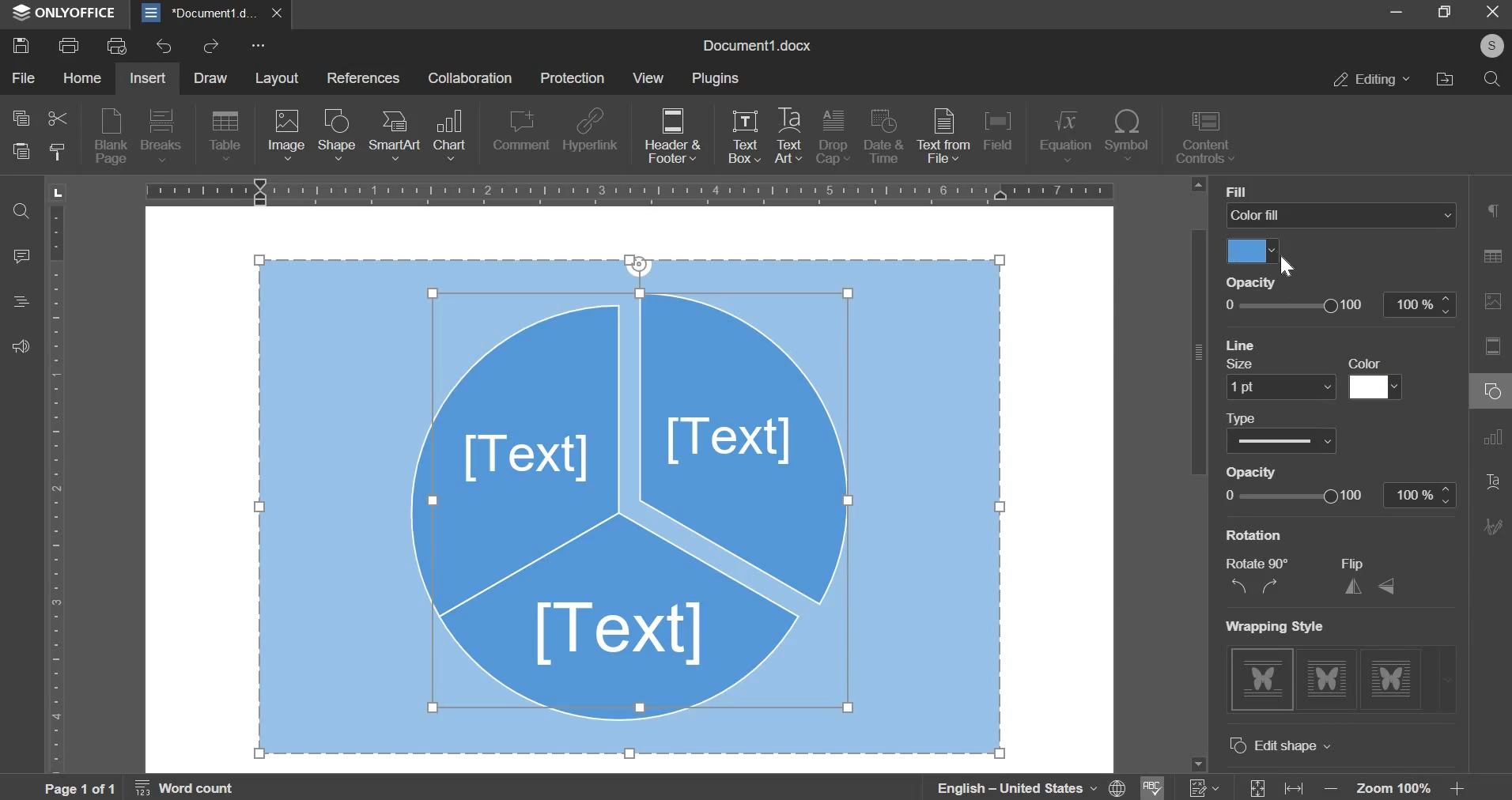 Image resolution: width=1512 pixels, height=800 pixels. Describe the element at coordinates (25, 300) in the screenshot. I see `Heading panel` at that location.